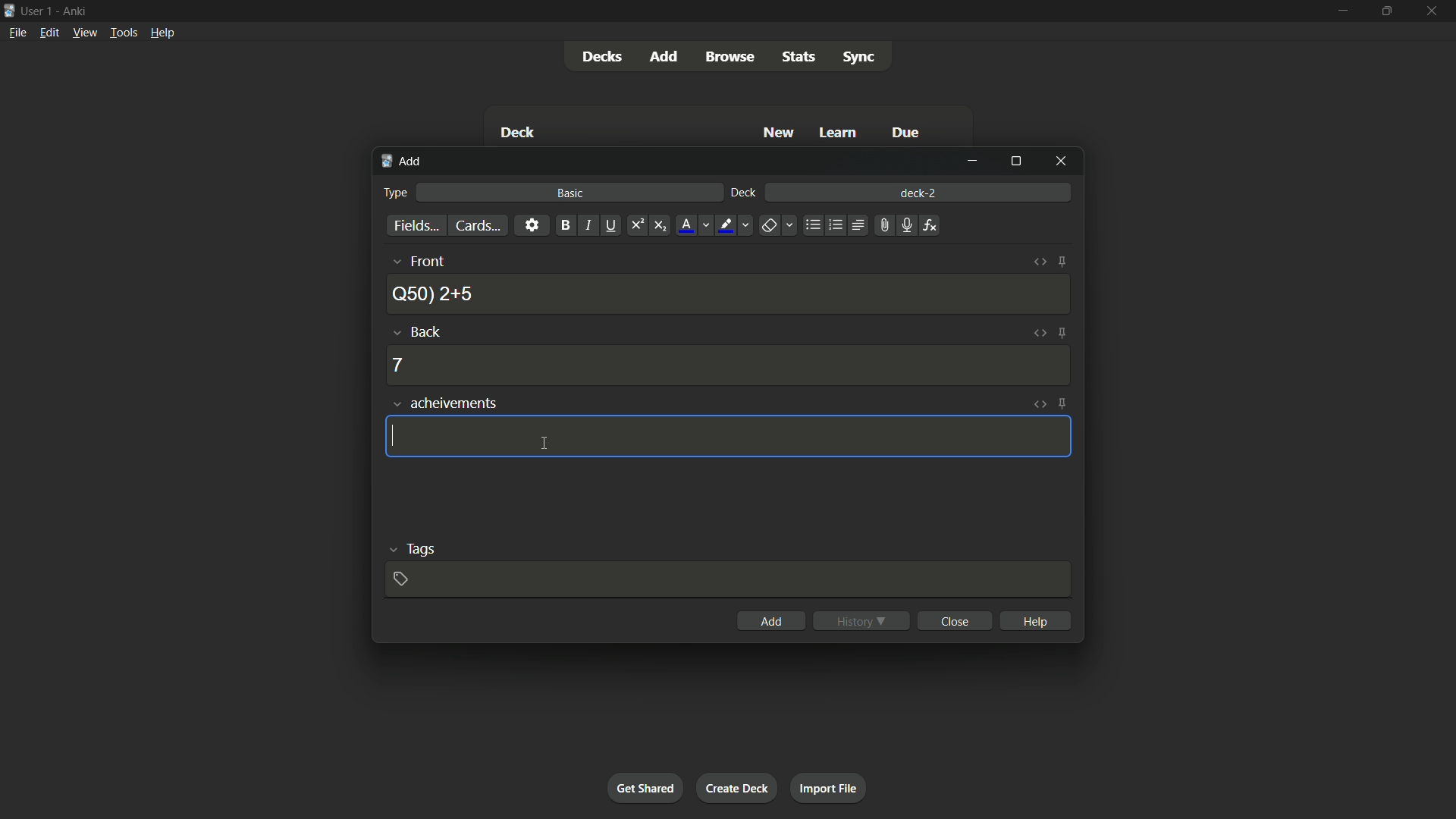 The width and height of the screenshot is (1456, 819). I want to click on history, so click(859, 621).